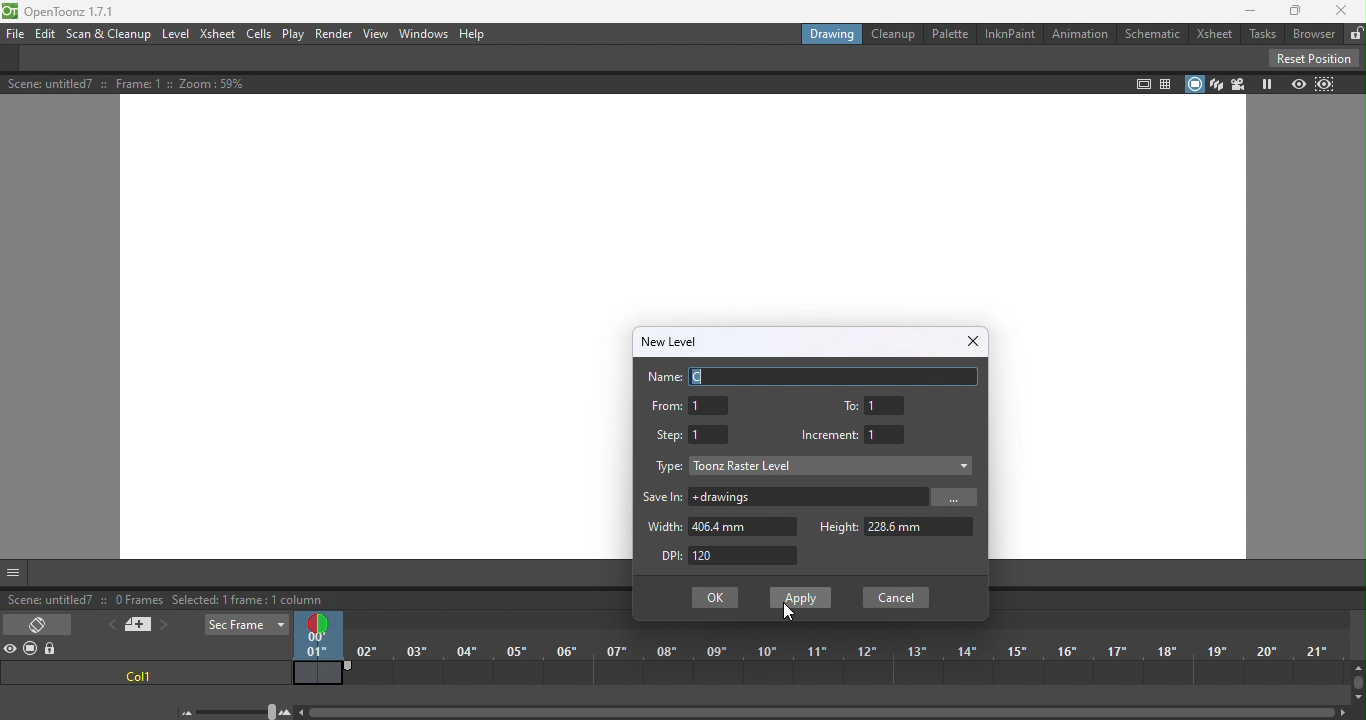  What do you see at coordinates (11, 12) in the screenshot?
I see `logo` at bounding box center [11, 12].